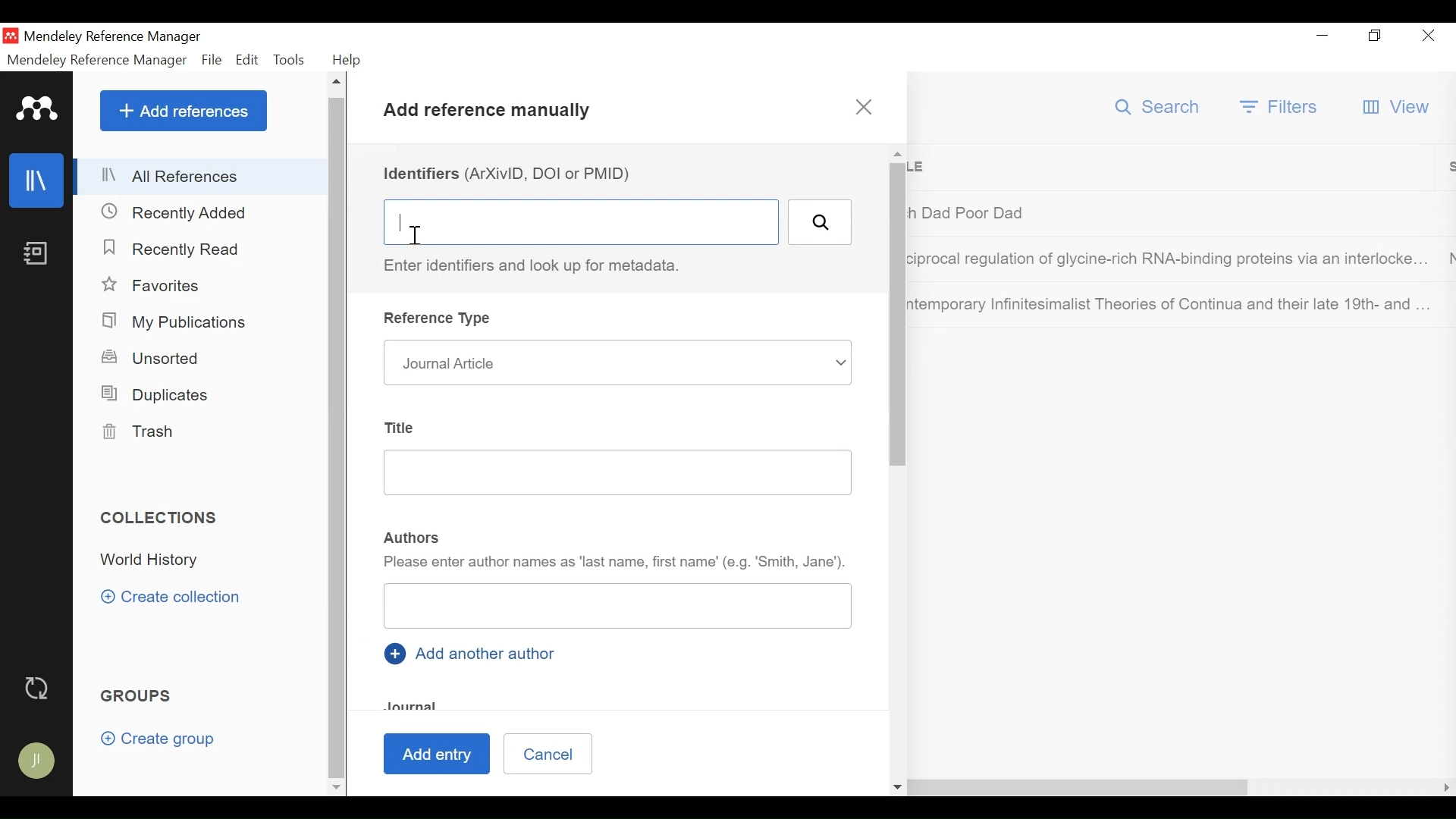 The height and width of the screenshot is (819, 1456). What do you see at coordinates (336, 83) in the screenshot?
I see `Scroll up` at bounding box center [336, 83].